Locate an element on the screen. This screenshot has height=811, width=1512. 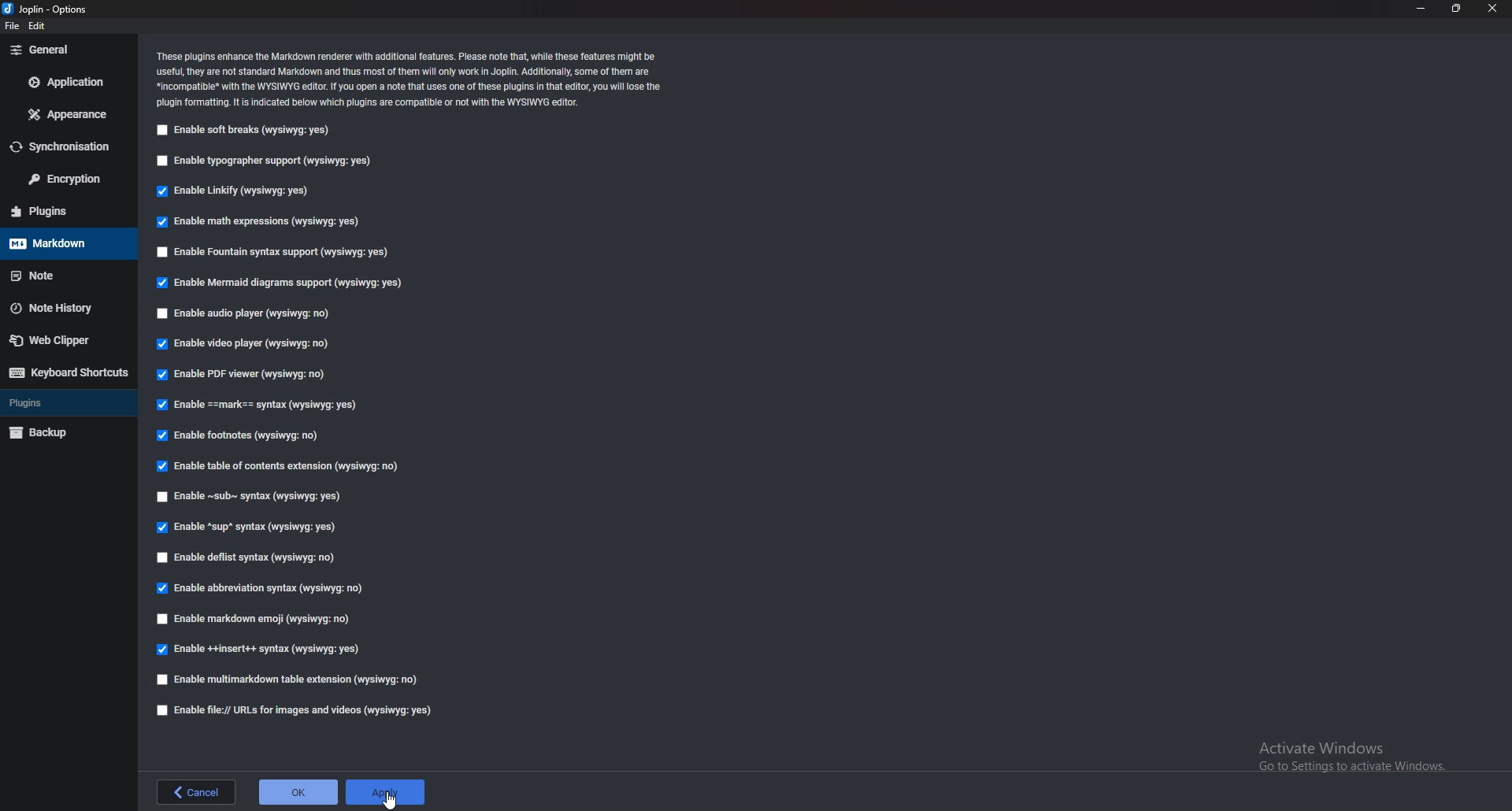
enable deflist syntax is located at coordinates (246, 557).